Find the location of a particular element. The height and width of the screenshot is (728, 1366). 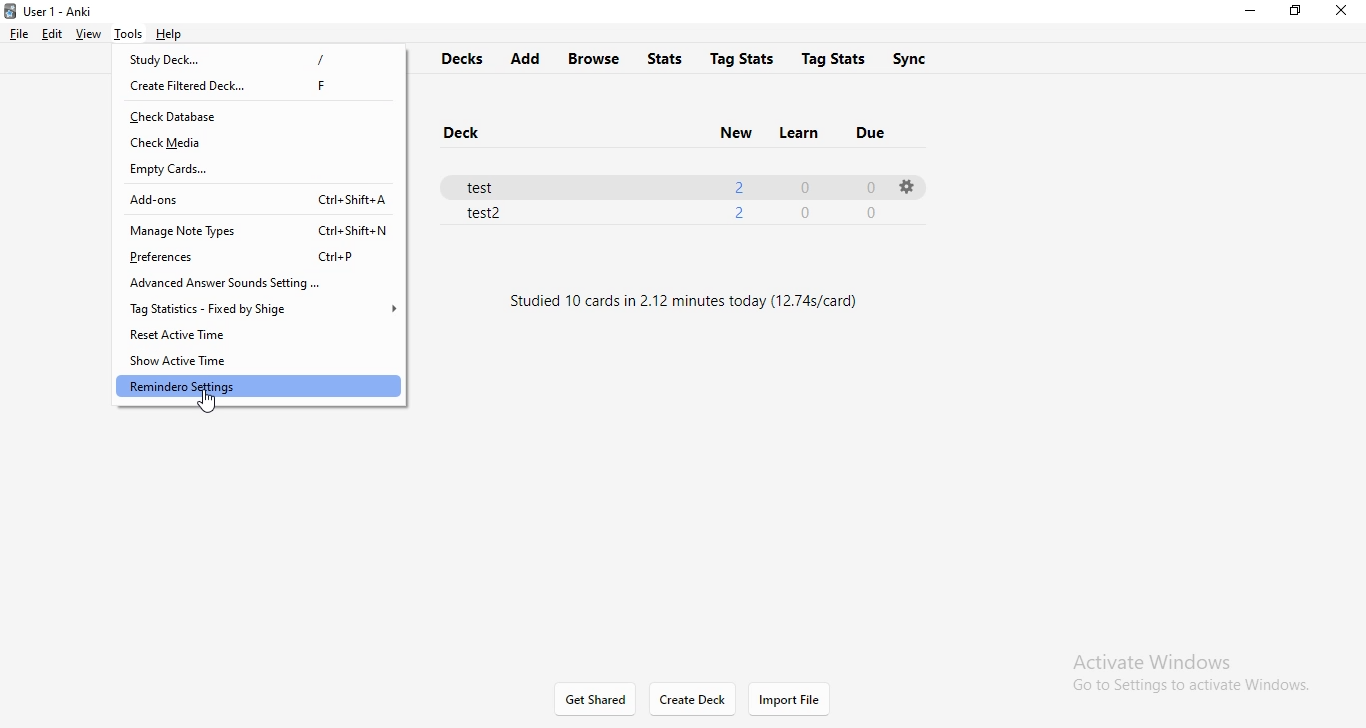

create filtered deck is located at coordinates (262, 92).